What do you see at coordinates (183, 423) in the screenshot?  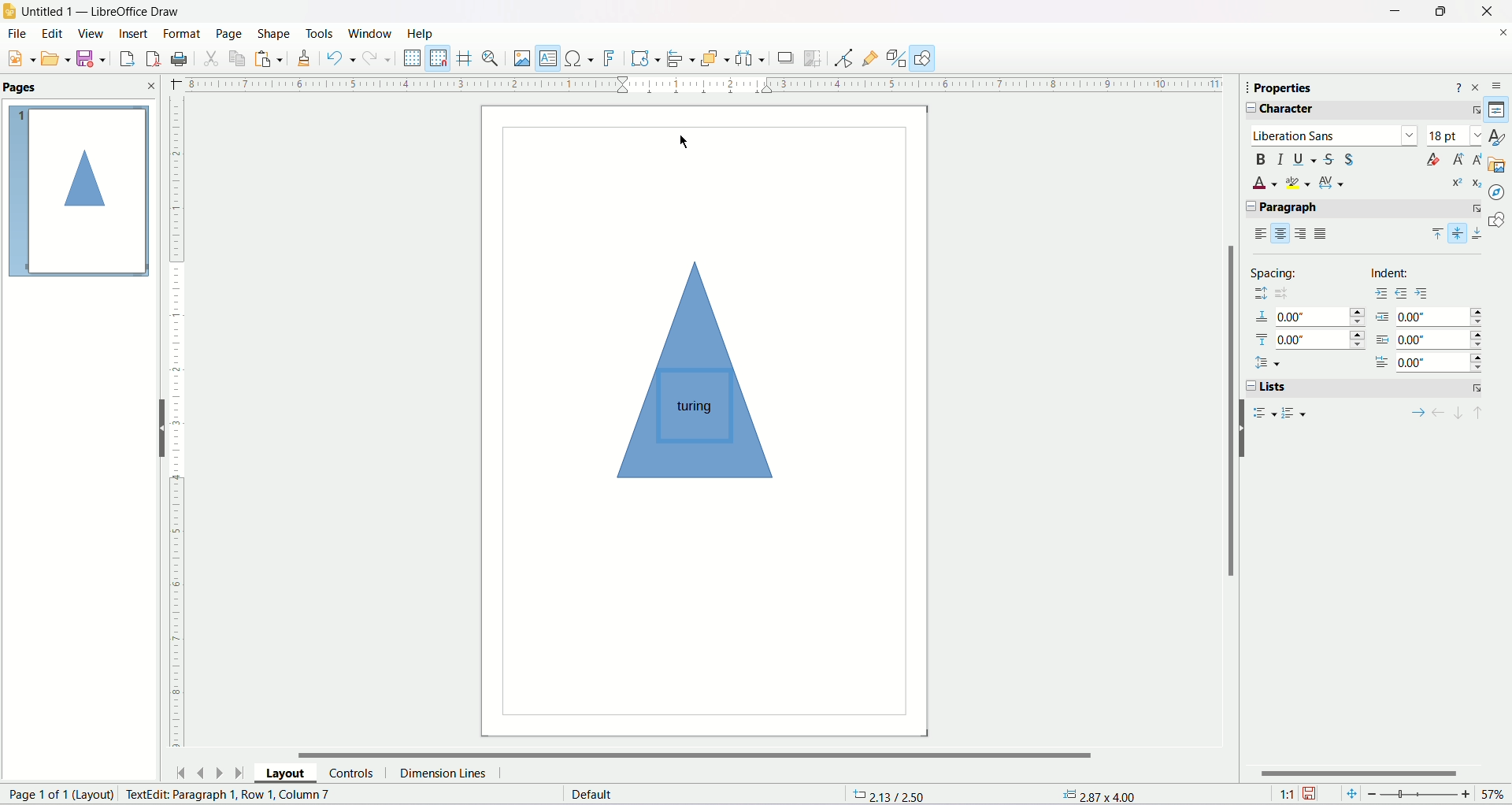 I see `Vertical Ruler` at bounding box center [183, 423].